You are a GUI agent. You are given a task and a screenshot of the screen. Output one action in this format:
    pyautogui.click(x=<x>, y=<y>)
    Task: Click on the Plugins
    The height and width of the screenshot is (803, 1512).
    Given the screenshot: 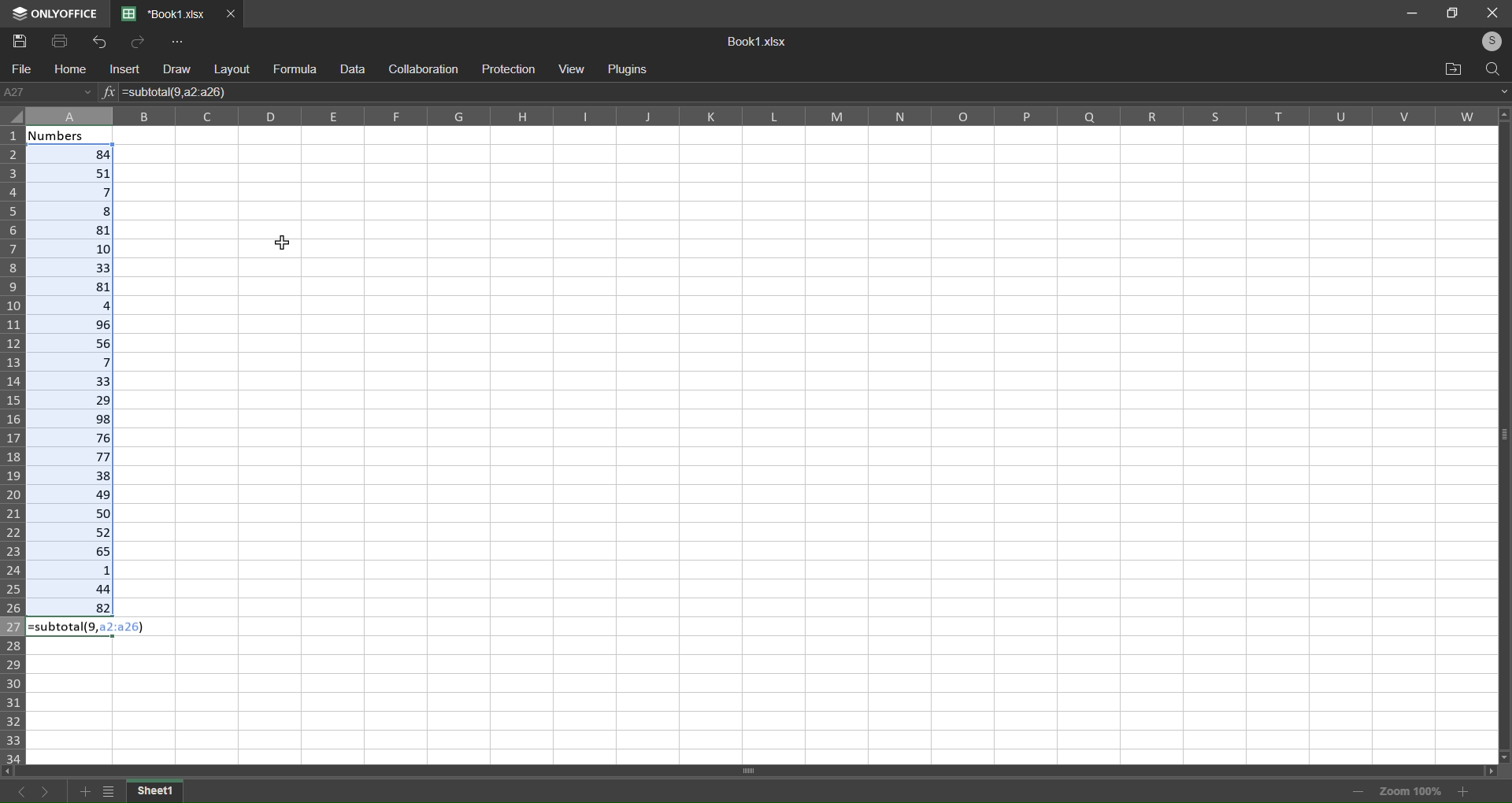 What is the action you would take?
    pyautogui.click(x=633, y=70)
    